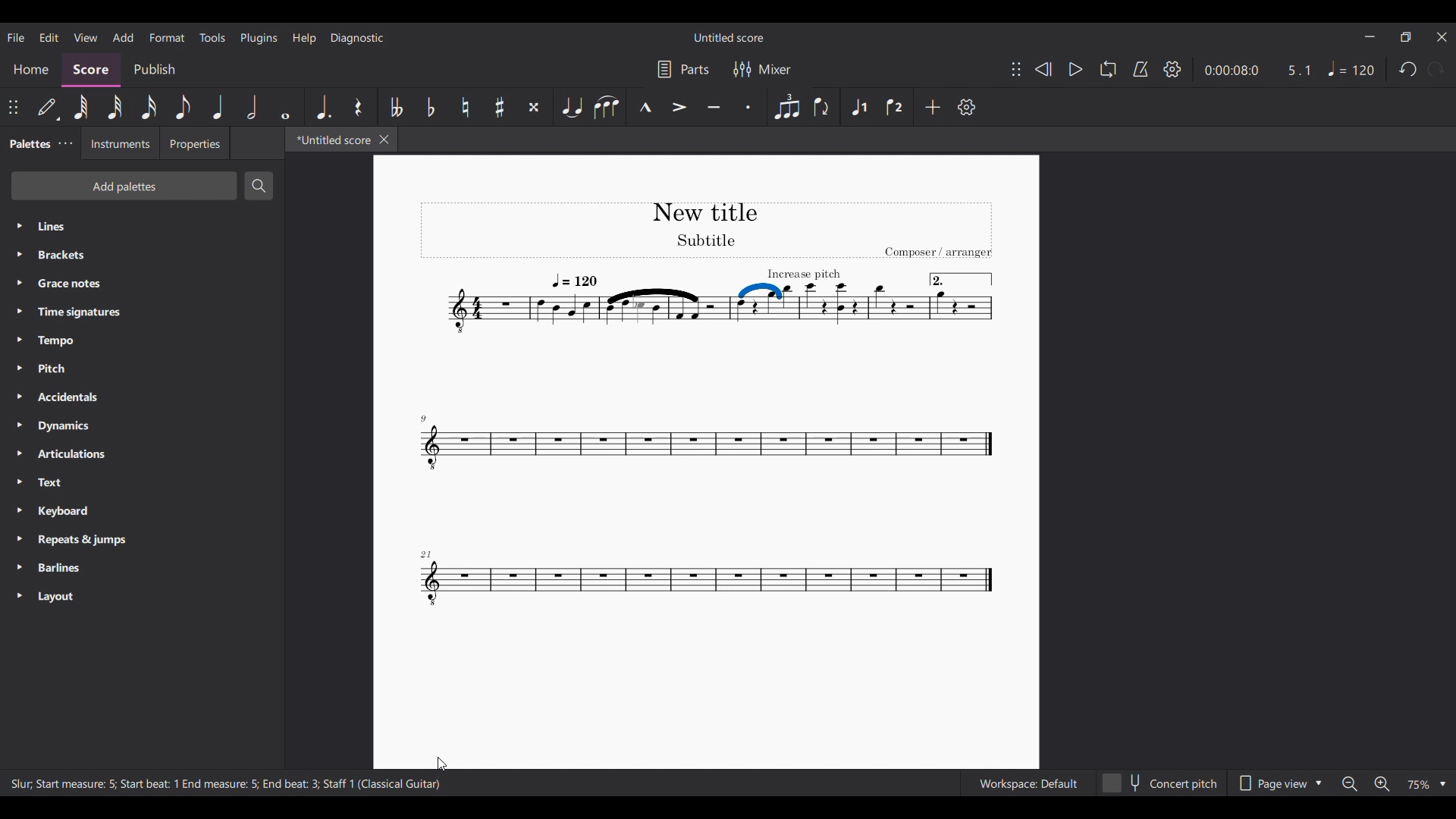  Describe the element at coordinates (86, 37) in the screenshot. I see `View menu` at that location.